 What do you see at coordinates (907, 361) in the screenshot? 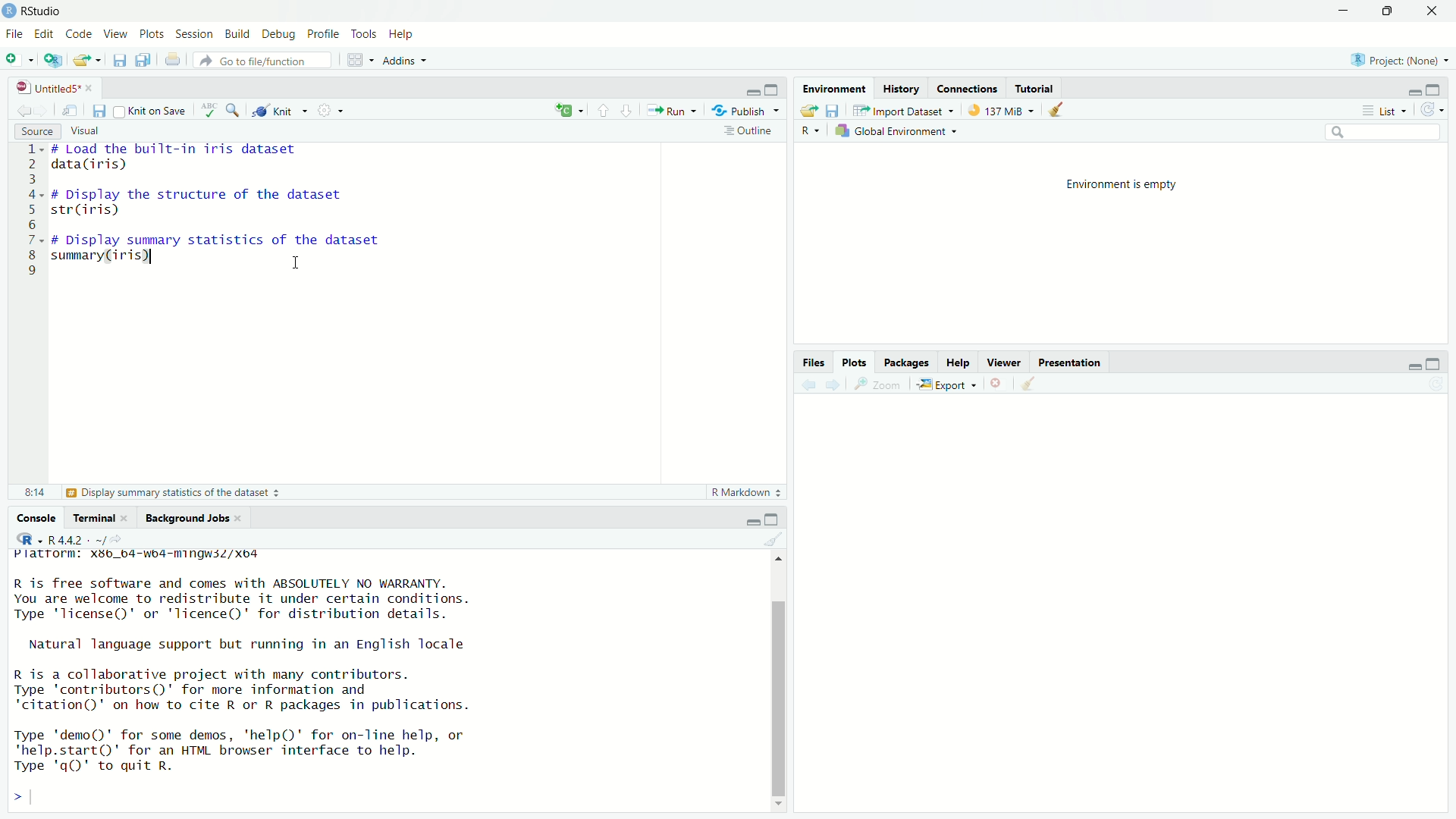
I see `Packages` at bounding box center [907, 361].